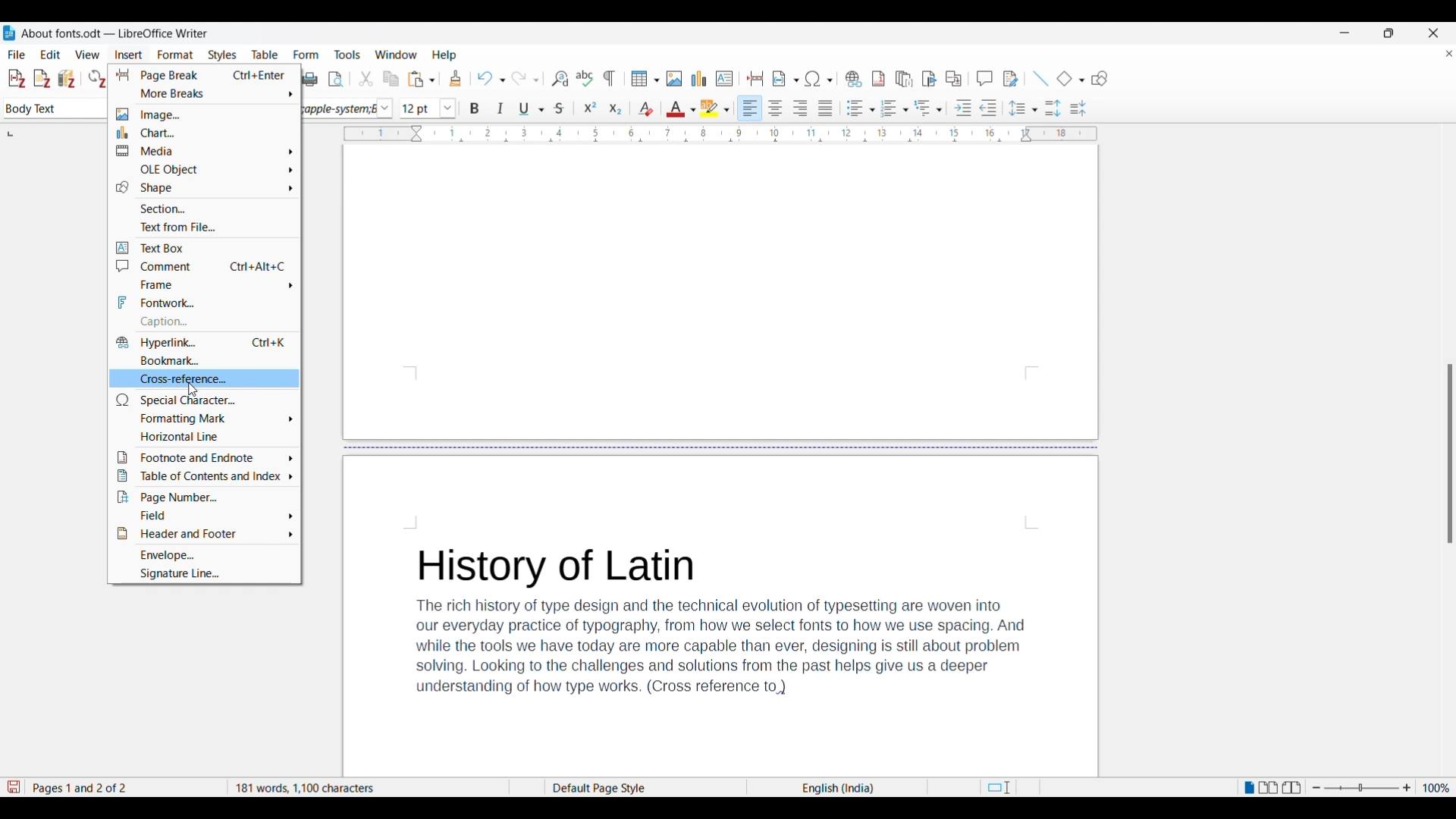 Image resolution: width=1456 pixels, height=819 pixels. What do you see at coordinates (205, 284) in the screenshot?
I see `Frame options` at bounding box center [205, 284].